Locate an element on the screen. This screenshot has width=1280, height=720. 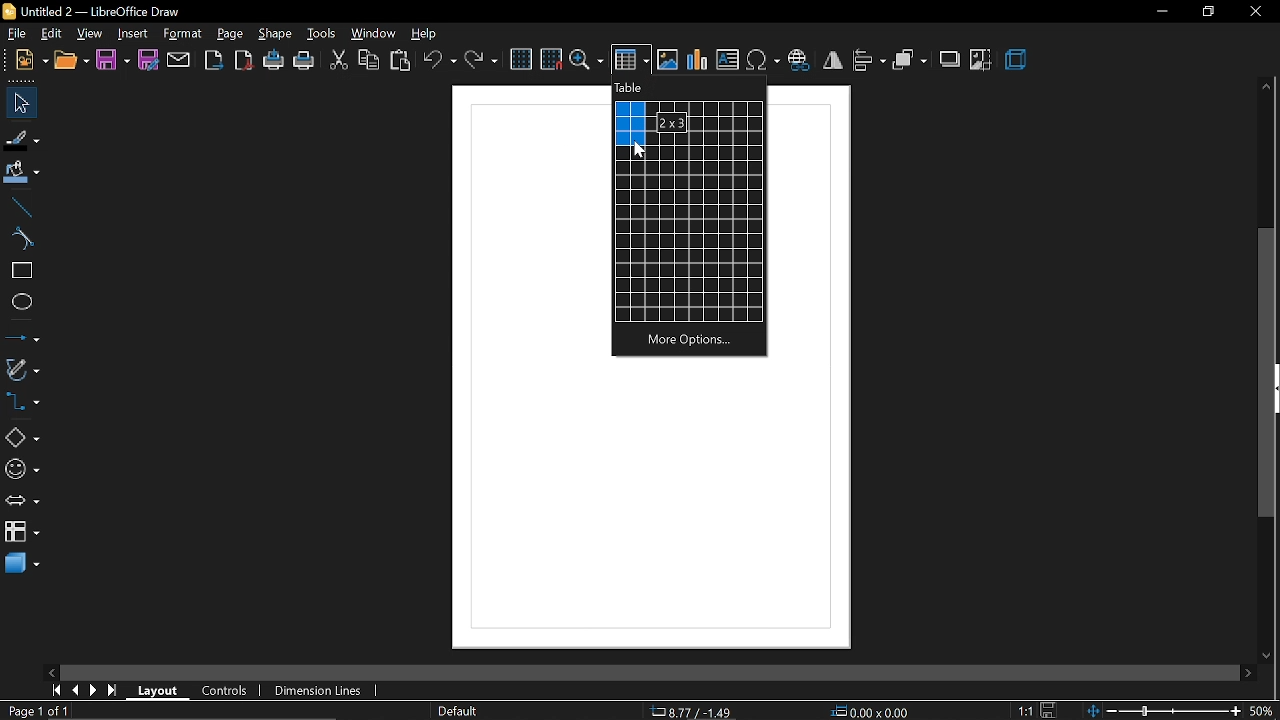
ellipse is located at coordinates (18, 302).